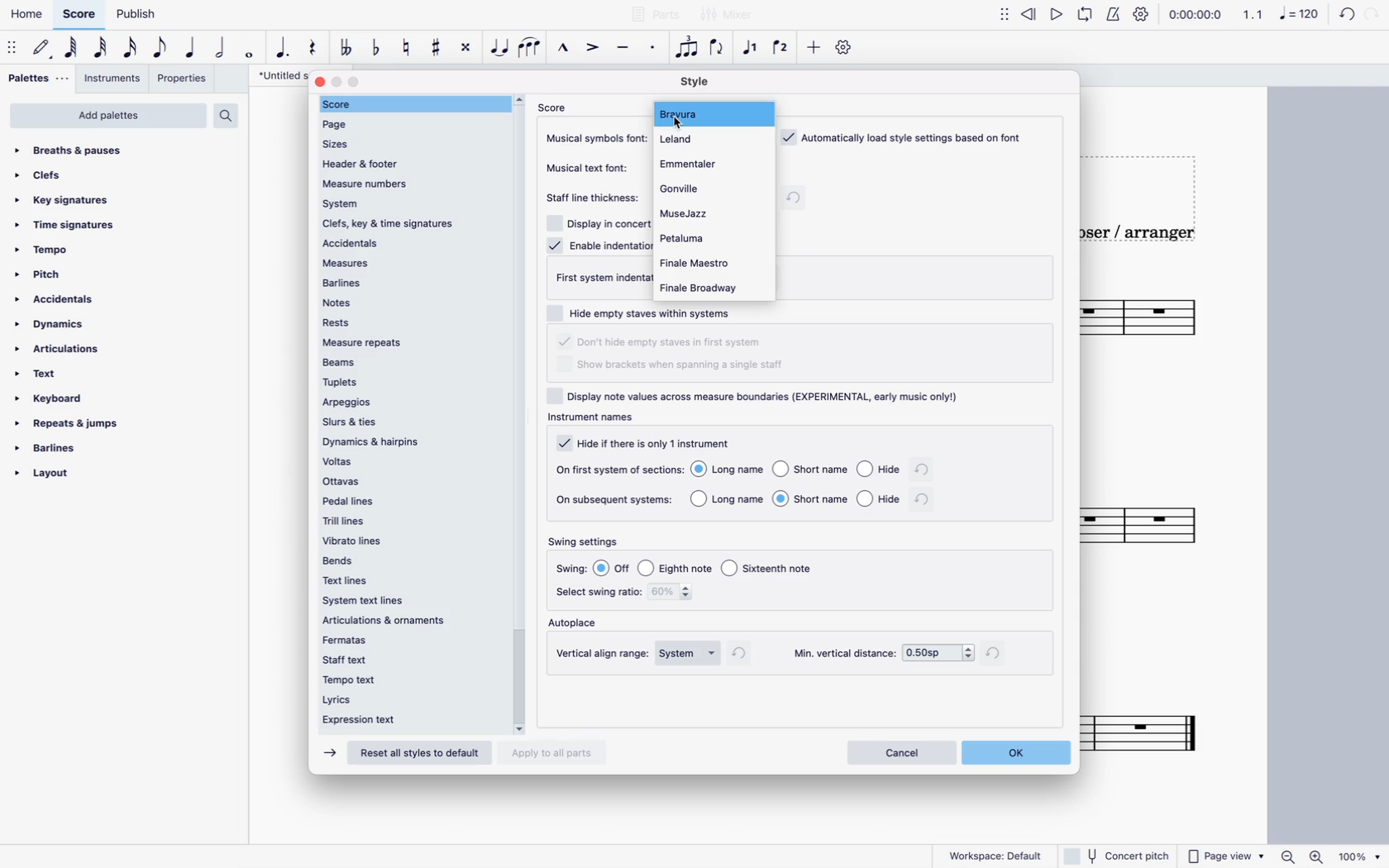 Image resolution: width=1389 pixels, height=868 pixels. What do you see at coordinates (411, 162) in the screenshot?
I see `header & footer` at bounding box center [411, 162].